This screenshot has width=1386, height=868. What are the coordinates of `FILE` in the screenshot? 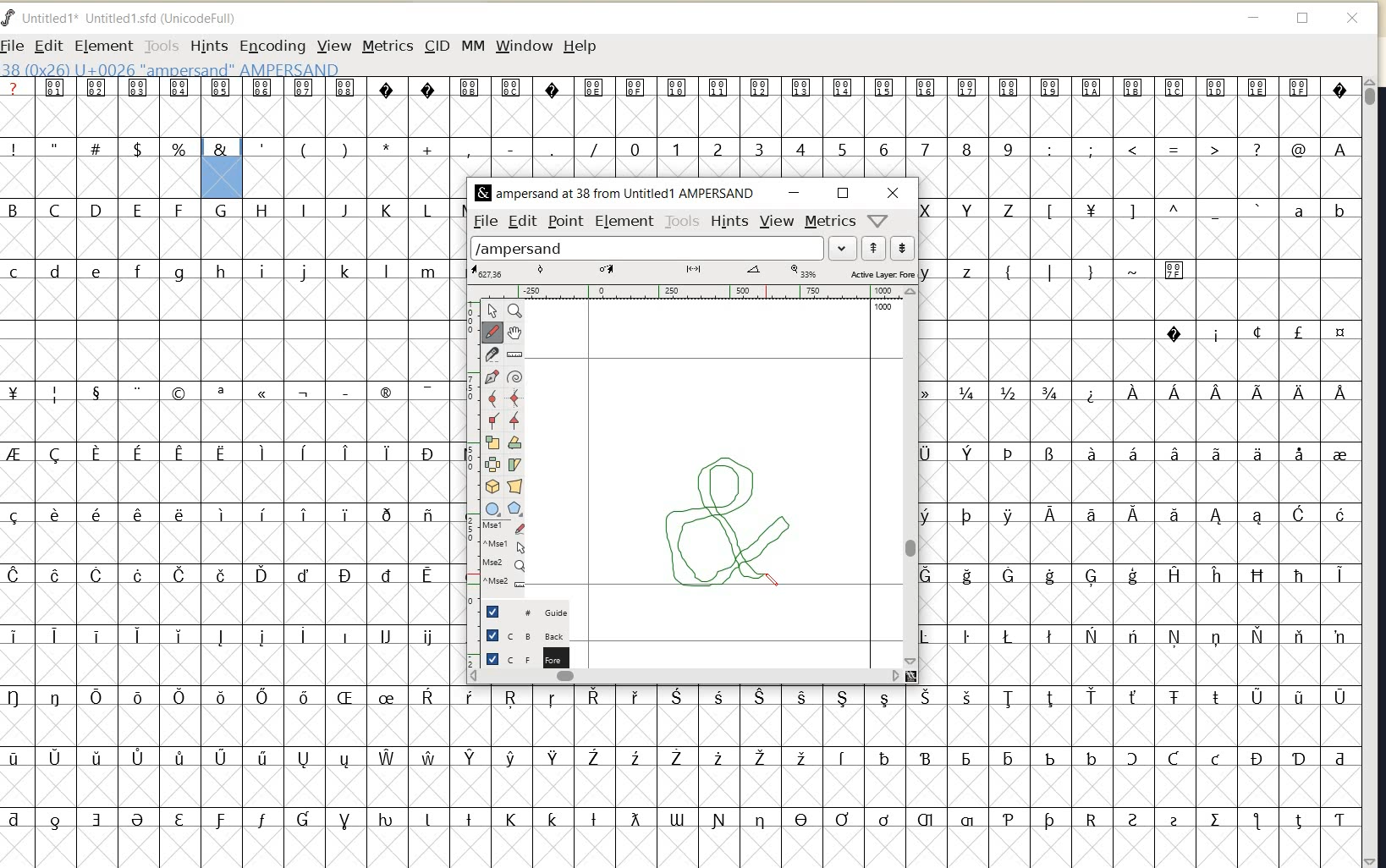 It's located at (486, 220).